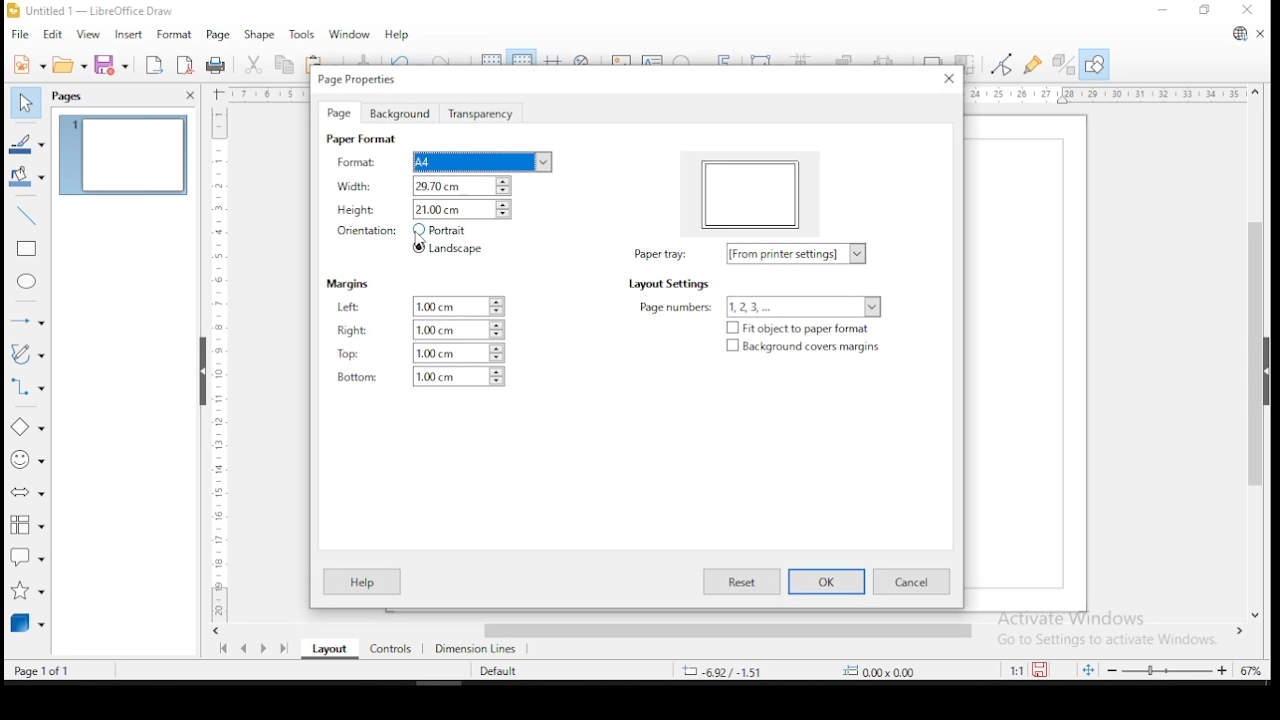  Describe the element at coordinates (1093, 65) in the screenshot. I see `show draw functions` at that location.